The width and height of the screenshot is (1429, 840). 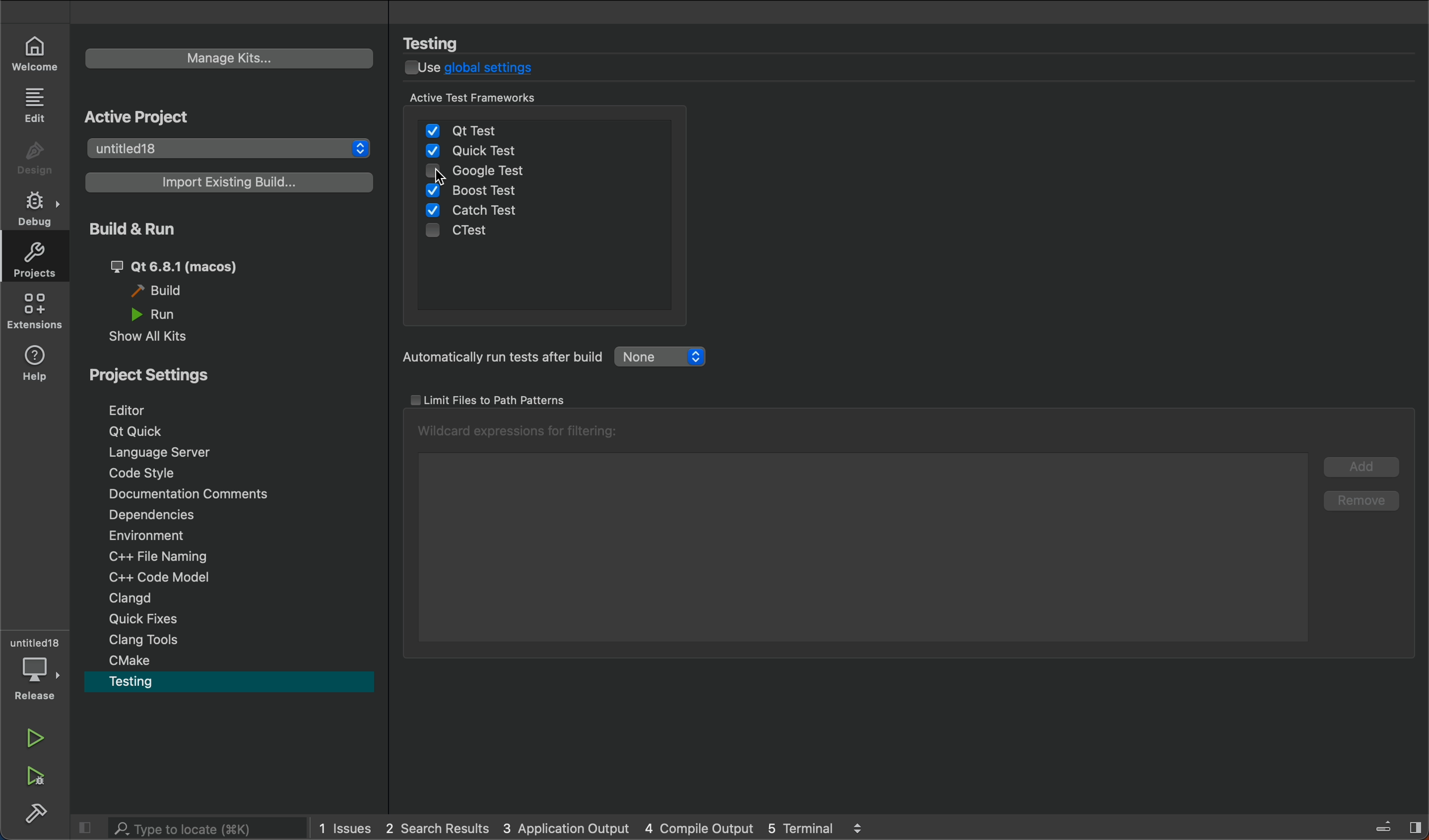 I want to click on search, so click(x=186, y=830).